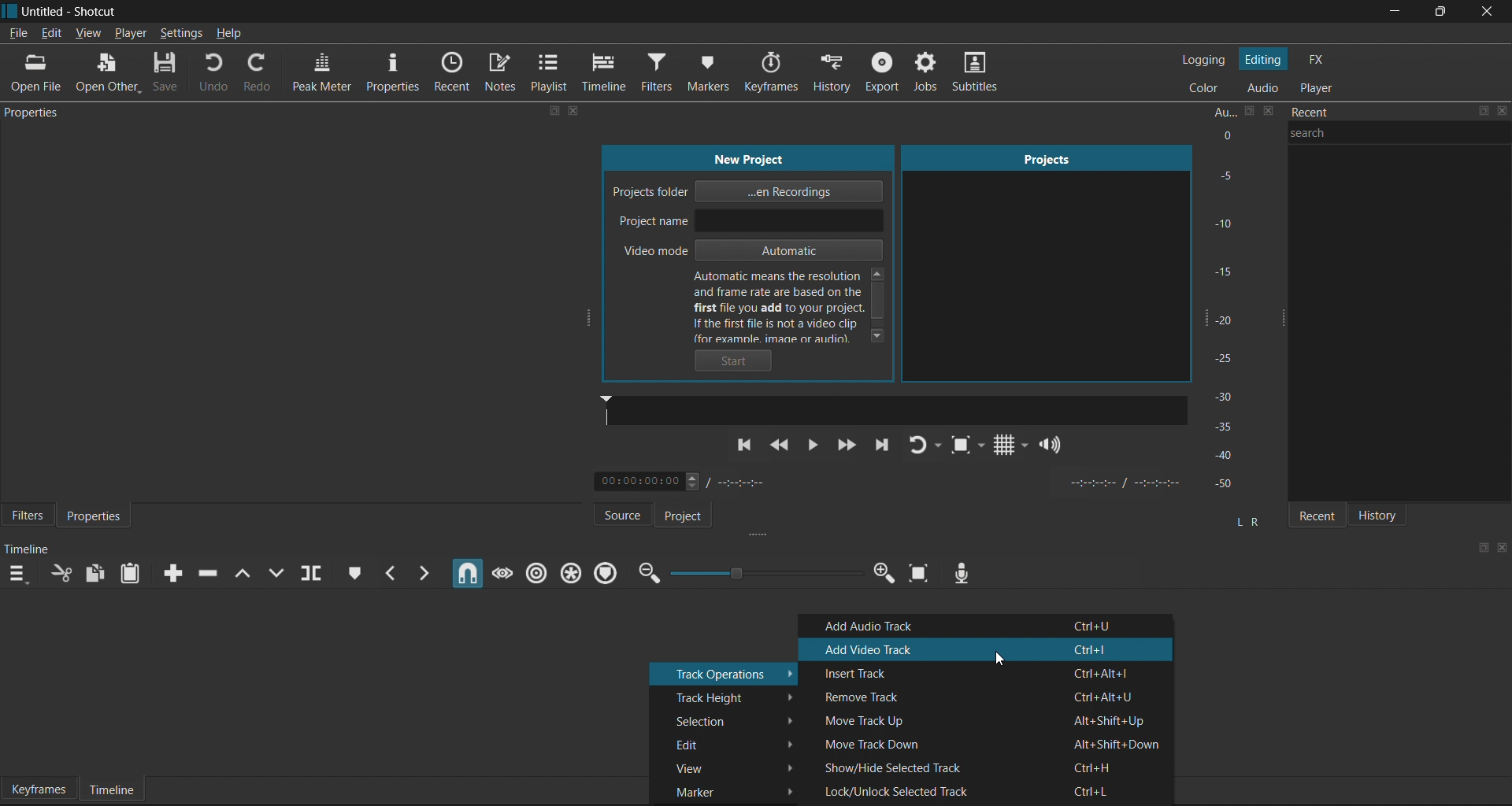 The image size is (1512, 806). What do you see at coordinates (502, 75) in the screenshot?
I see `Notes` at bounding box center [502, 75].